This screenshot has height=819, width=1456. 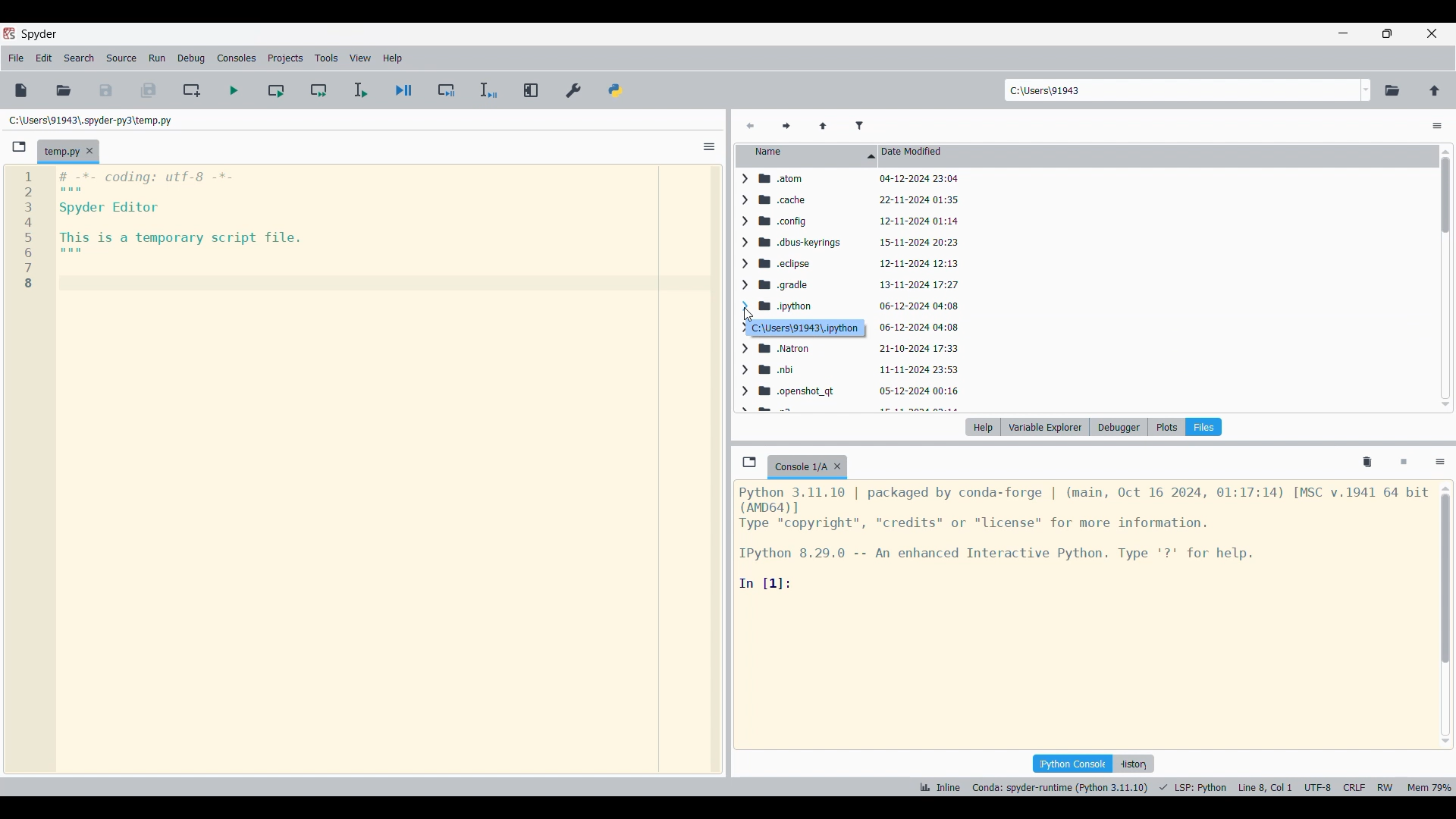 What do you see at coordinates (122, 58) in the screenshot?
I see `Source menu` at bounding box center [122, 58].